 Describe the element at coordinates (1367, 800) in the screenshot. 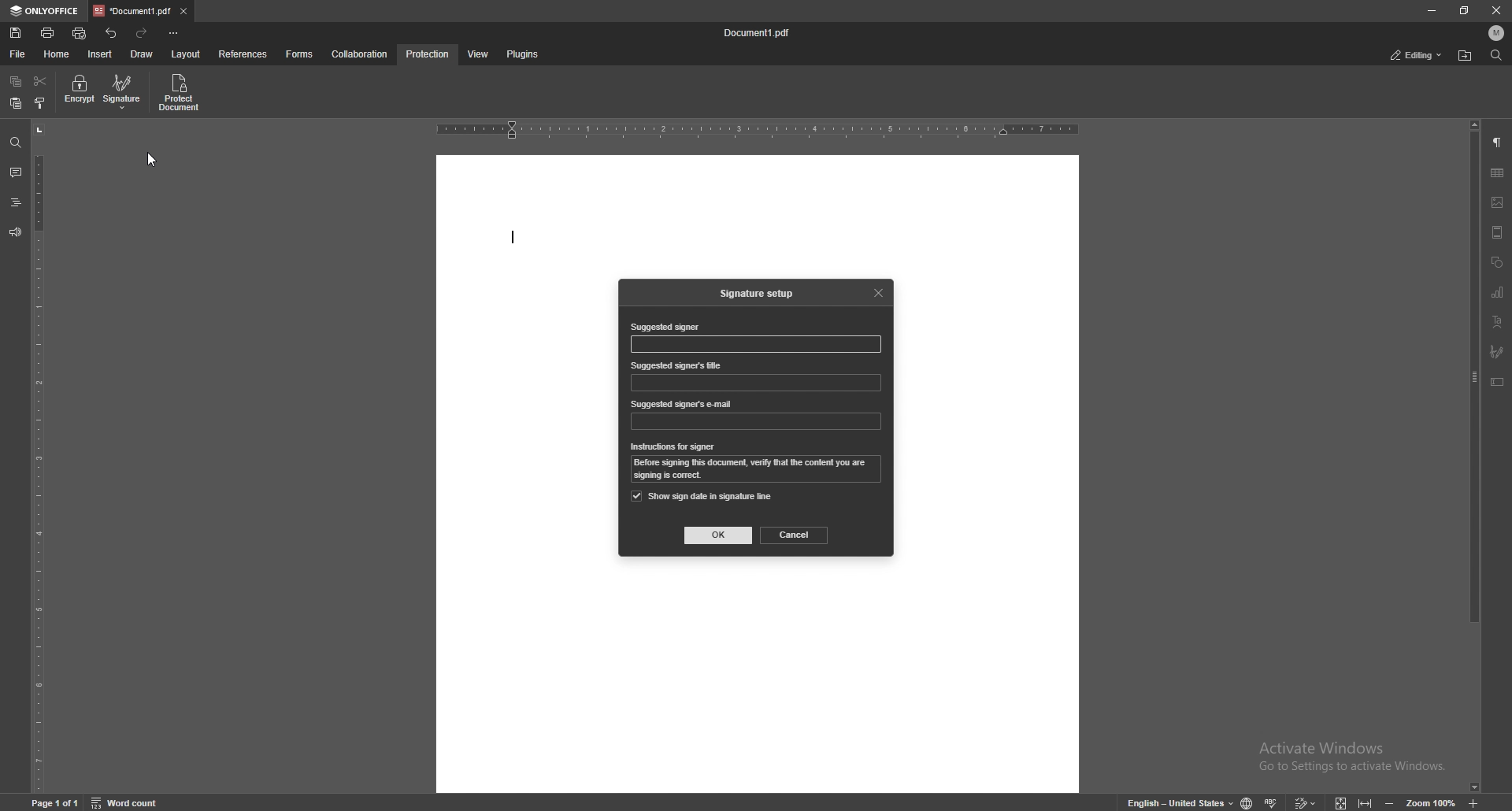

I see `fit to width` at that location.